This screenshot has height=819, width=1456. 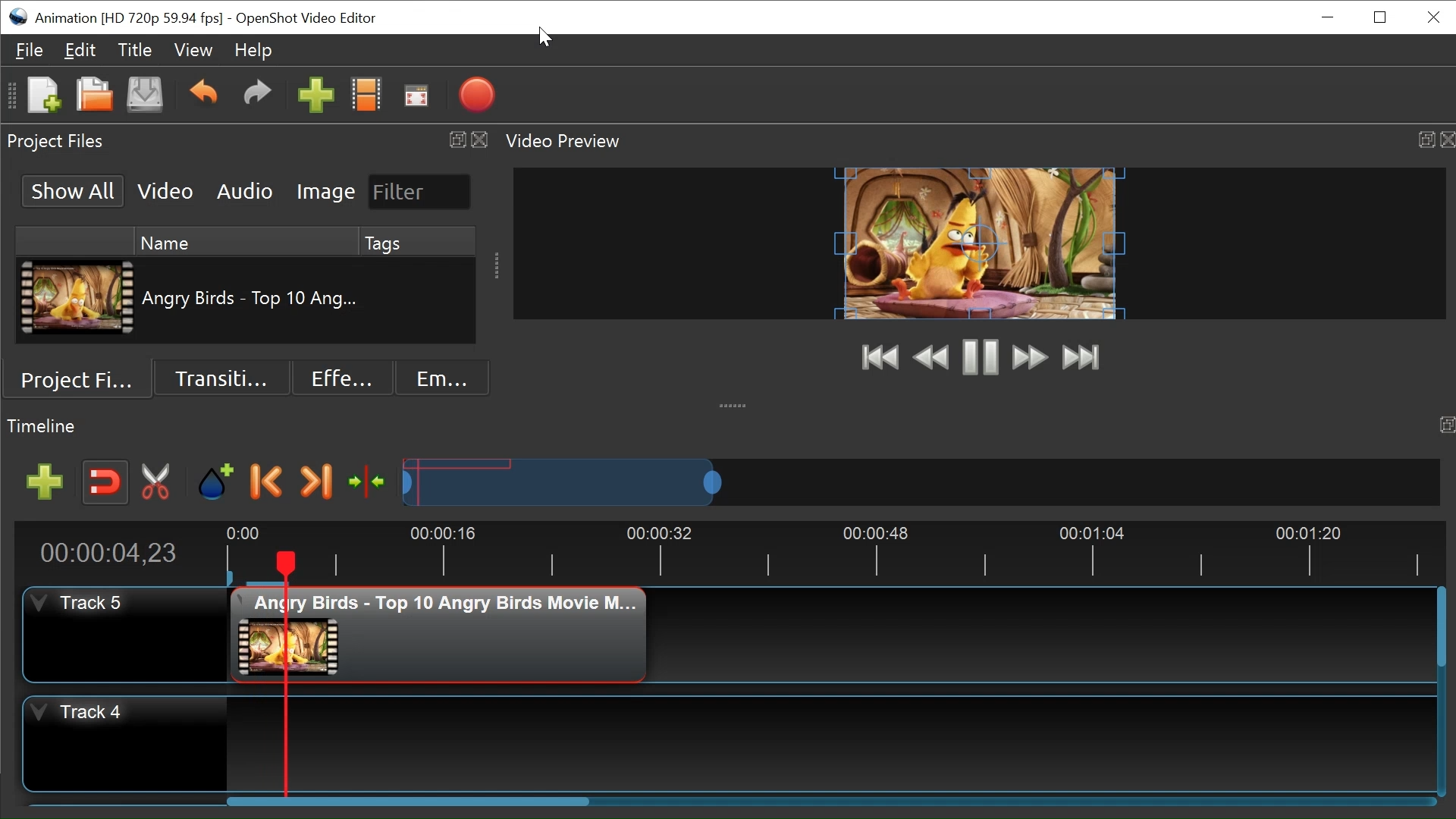 I want to click on Title, so click(x=134, y=49).